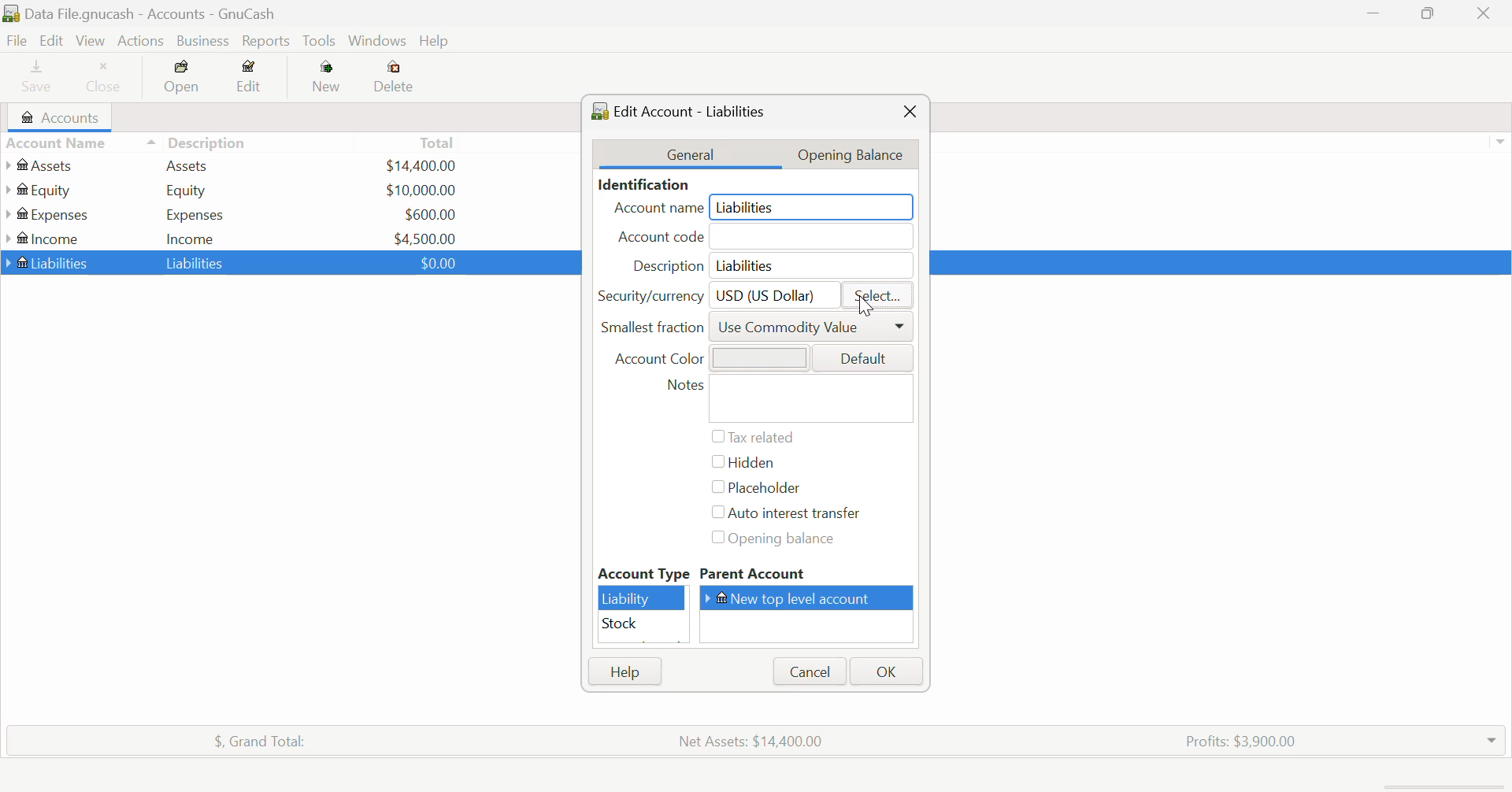 Image resolution: width=1512 pixels, height=792 pixels. What do you see at coordinates (43, 187) in the screenshot?
I see `Equity Account` at bounding box center [43, 187].